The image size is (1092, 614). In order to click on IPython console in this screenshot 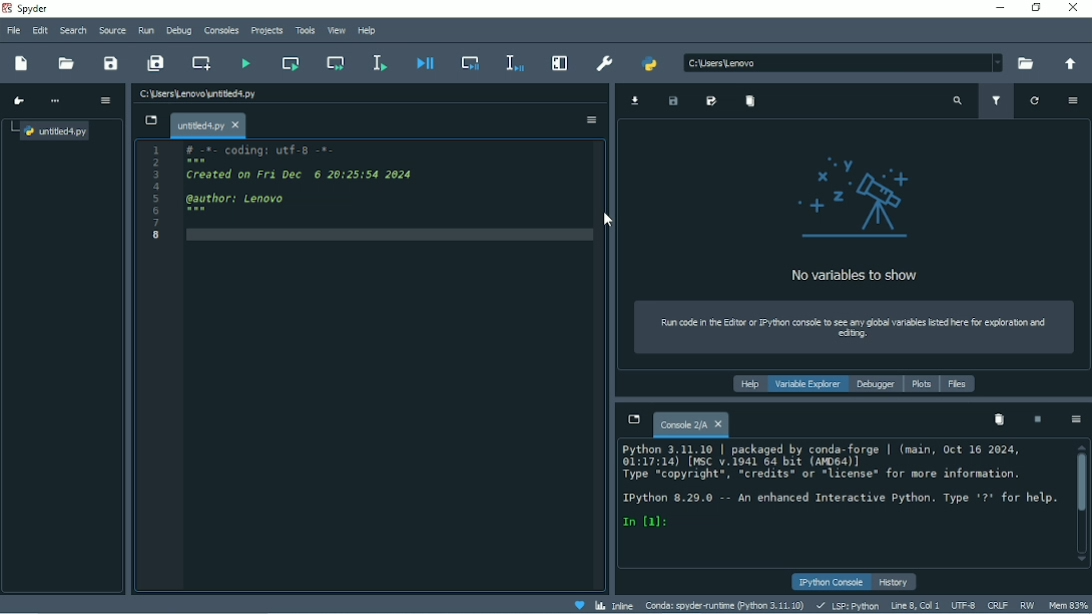, I will do `click(832, 582)`.